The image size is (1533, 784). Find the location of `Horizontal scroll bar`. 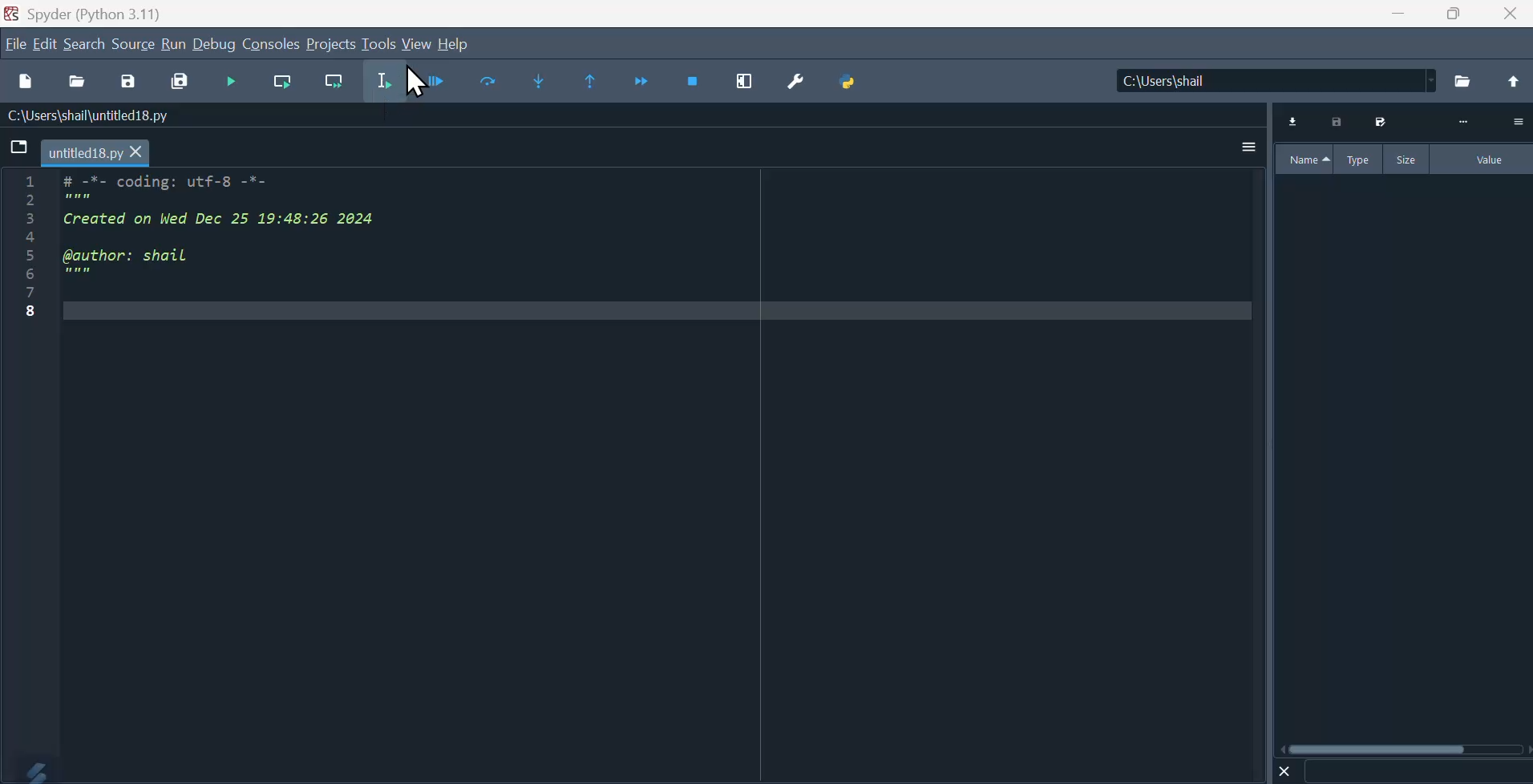

Horizontal scroll bar is located at coordinates (1406, 749).